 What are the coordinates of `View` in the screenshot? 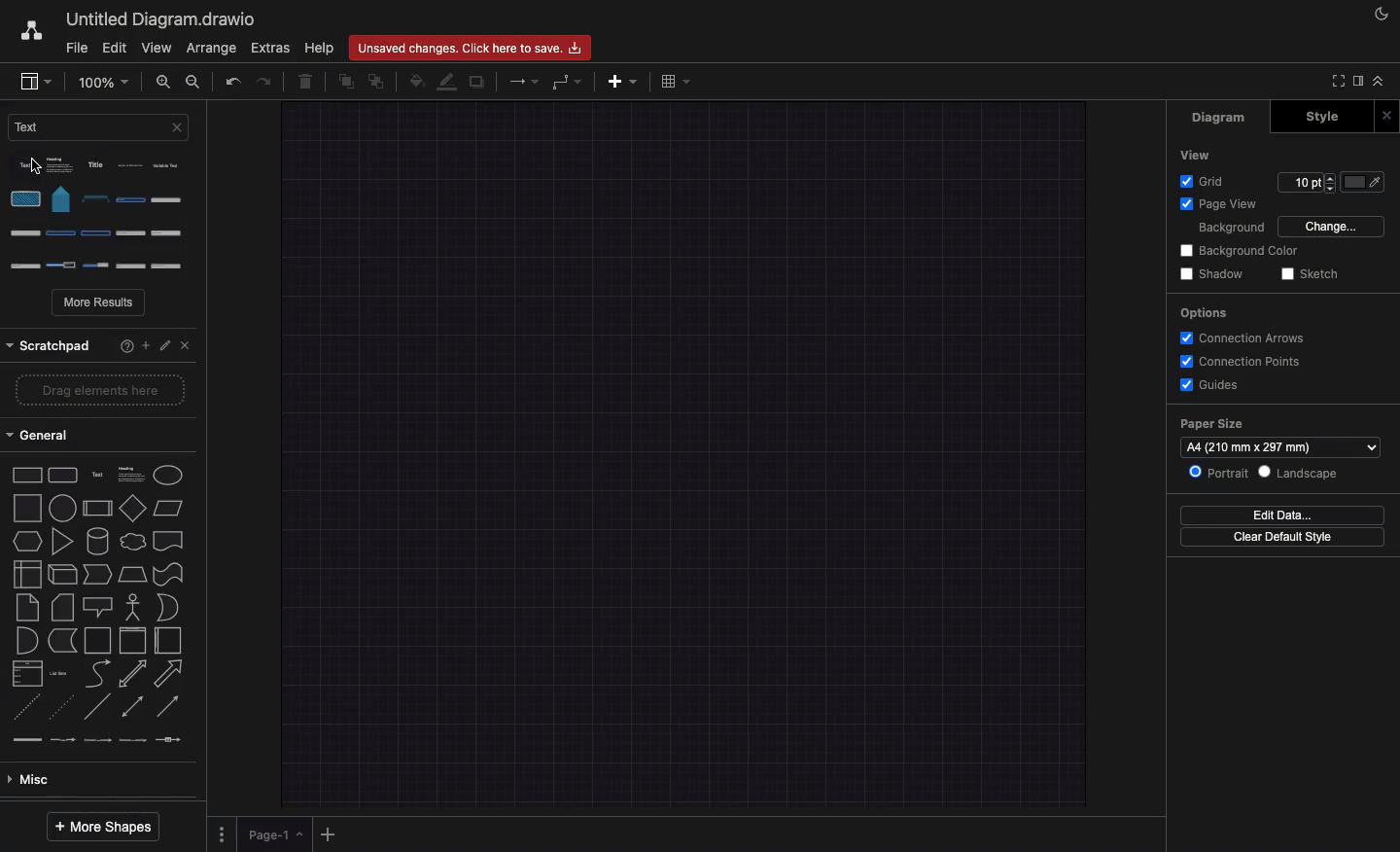 It's located at (1201, 154).